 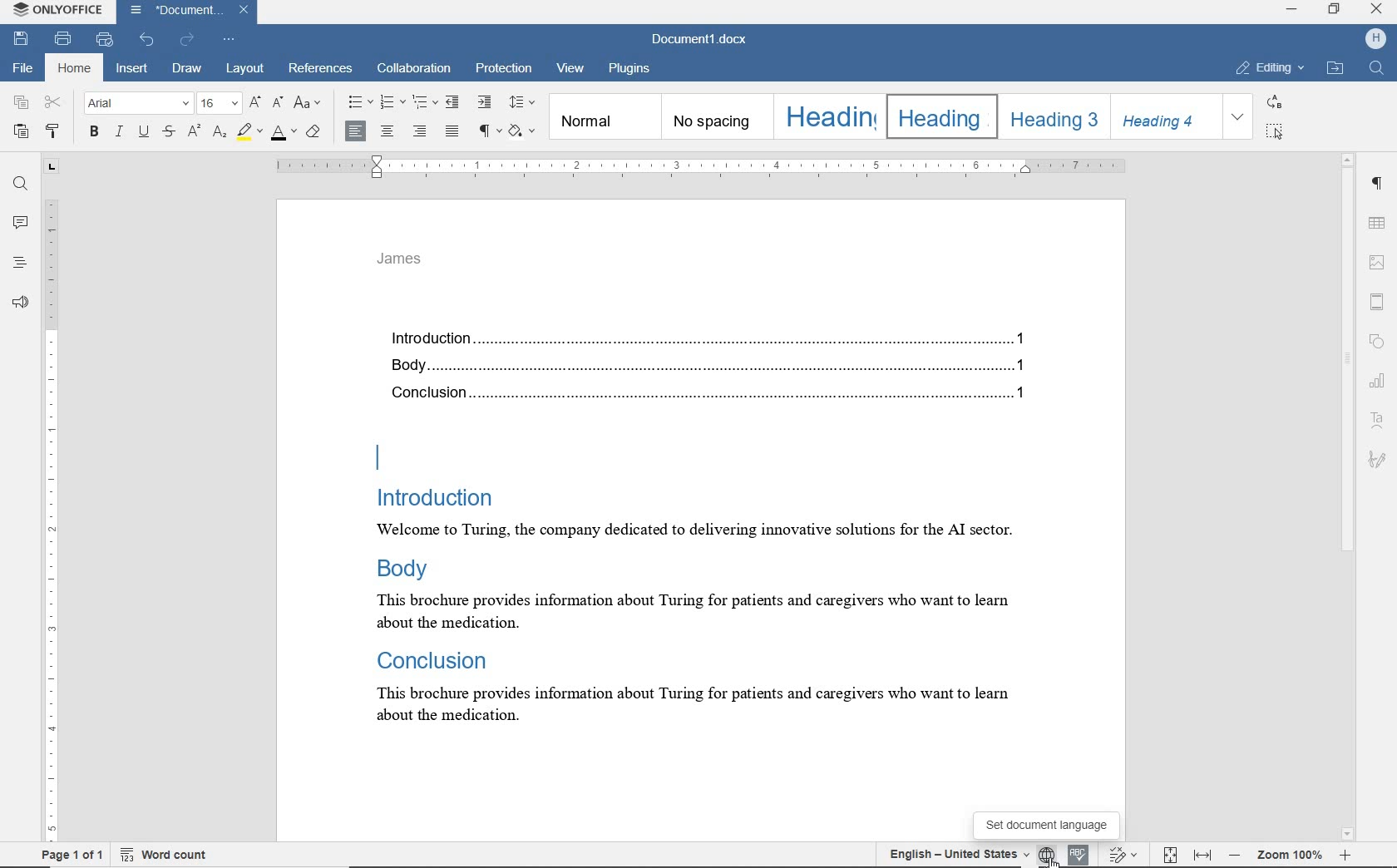 I want to click on subscript, so click(x=219, y=132).